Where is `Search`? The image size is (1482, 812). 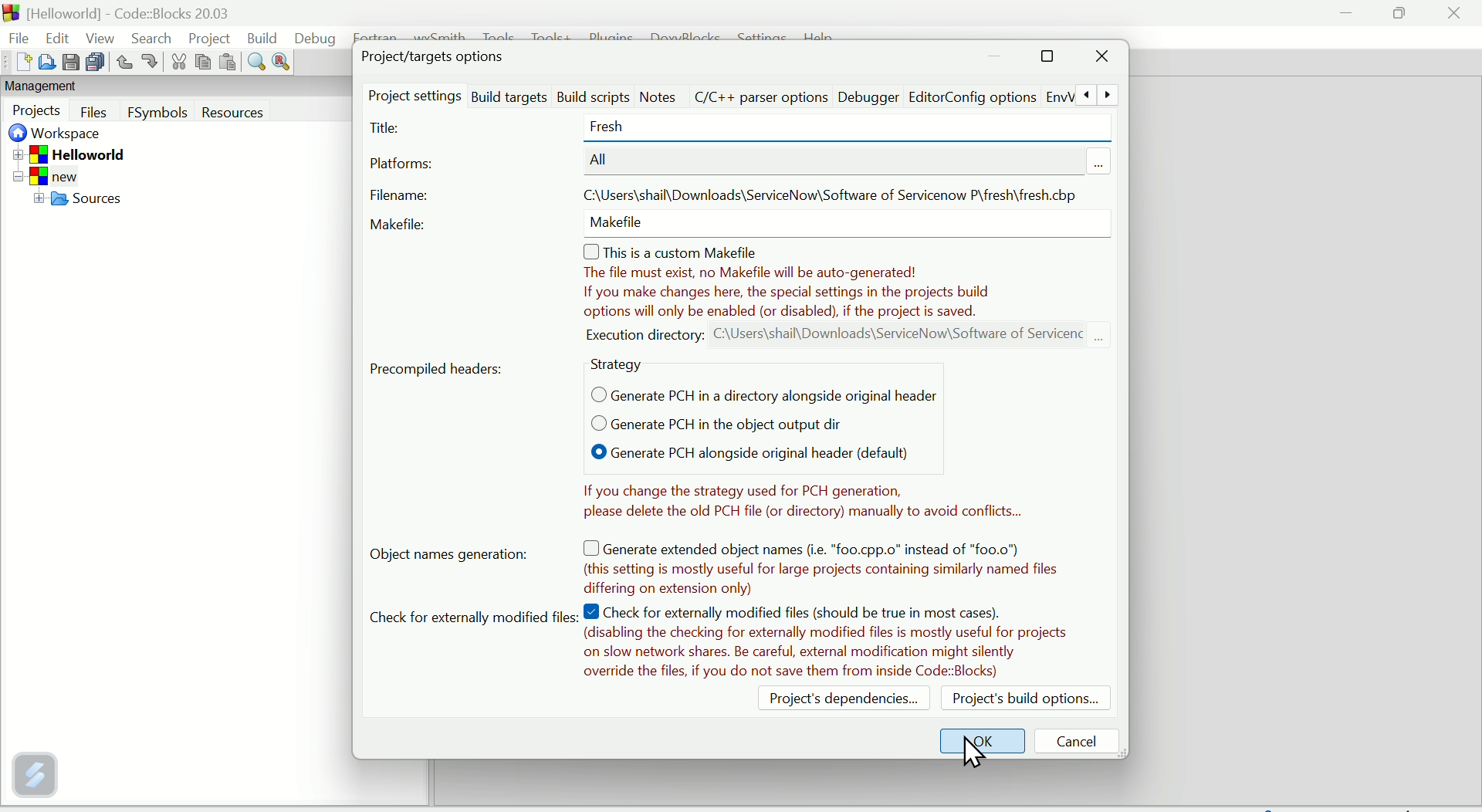
Search is located at coordinates (151, 39).